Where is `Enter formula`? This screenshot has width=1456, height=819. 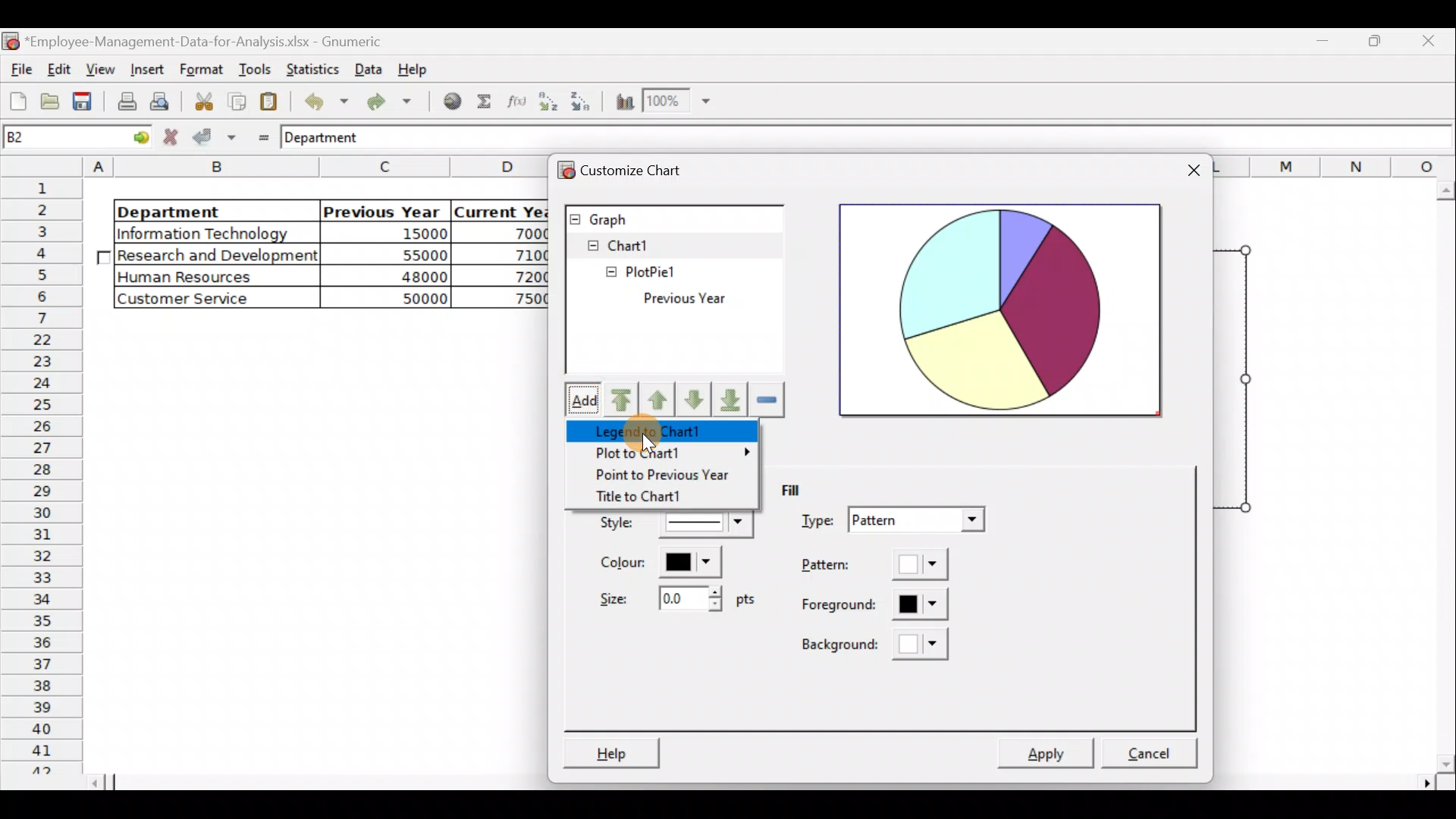
Enter formula is located at coordinates (259, 136).